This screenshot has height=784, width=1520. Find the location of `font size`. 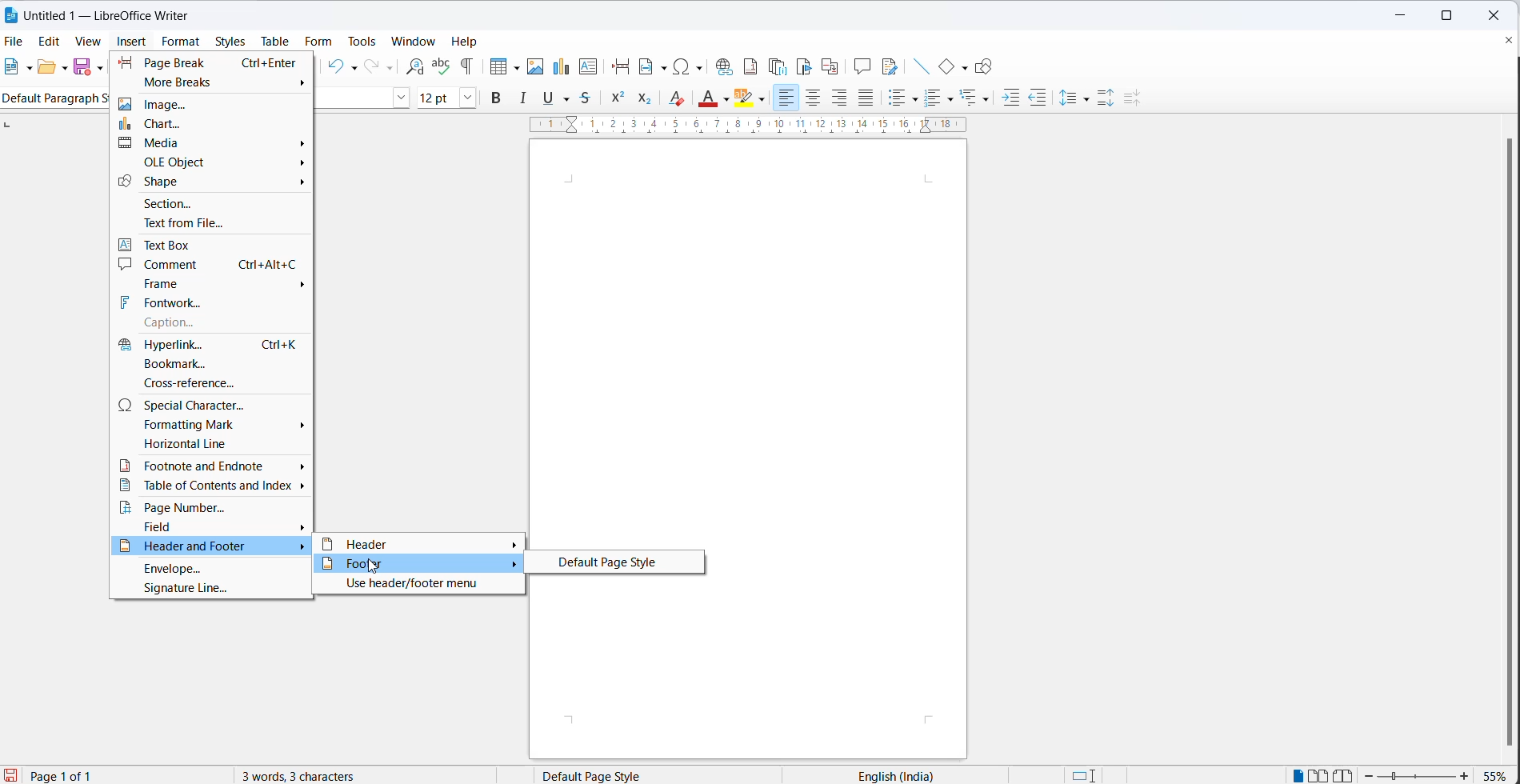

font size is located at coordinates (437, 98).